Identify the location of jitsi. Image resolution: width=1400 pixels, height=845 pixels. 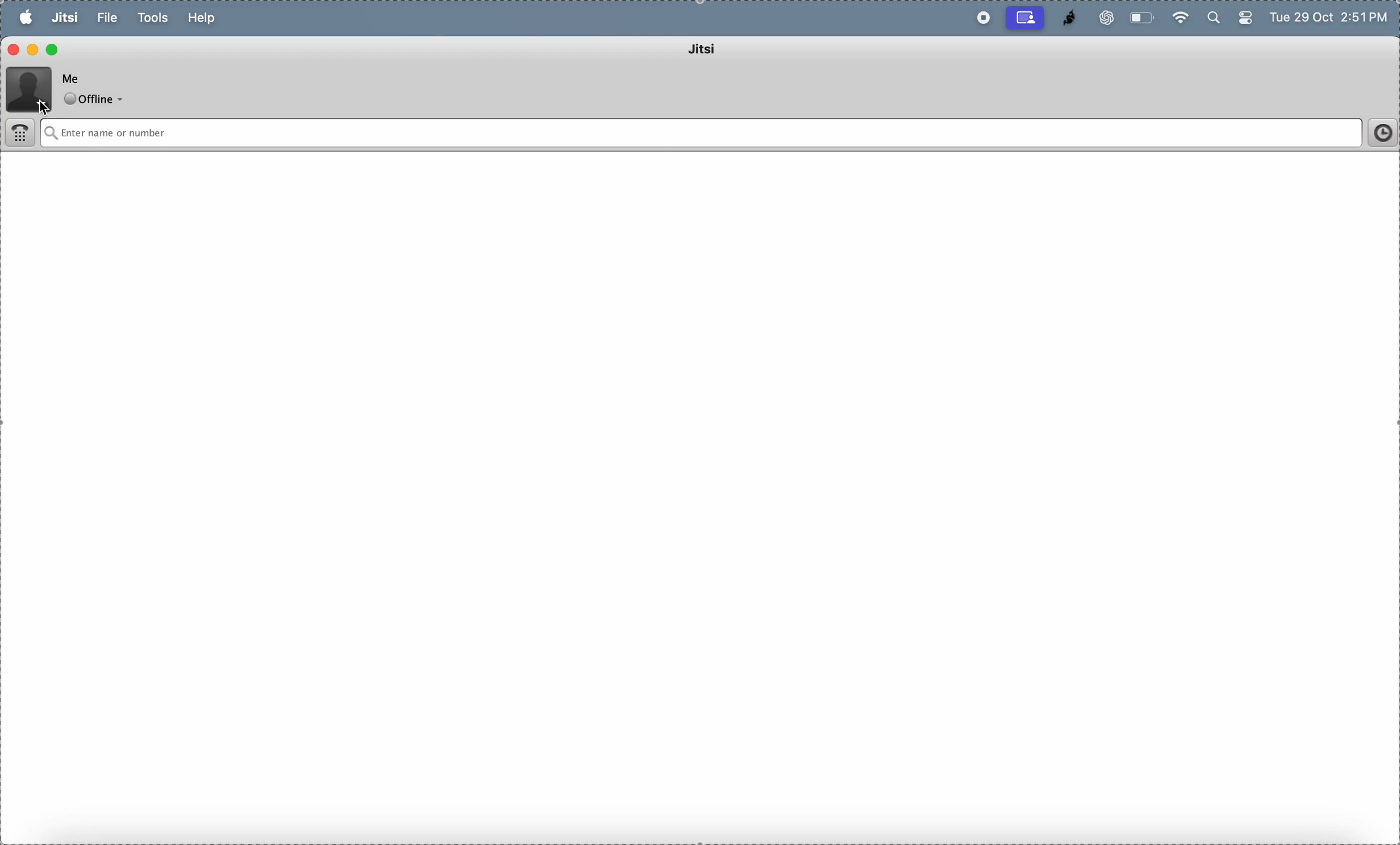
(1064, 18).